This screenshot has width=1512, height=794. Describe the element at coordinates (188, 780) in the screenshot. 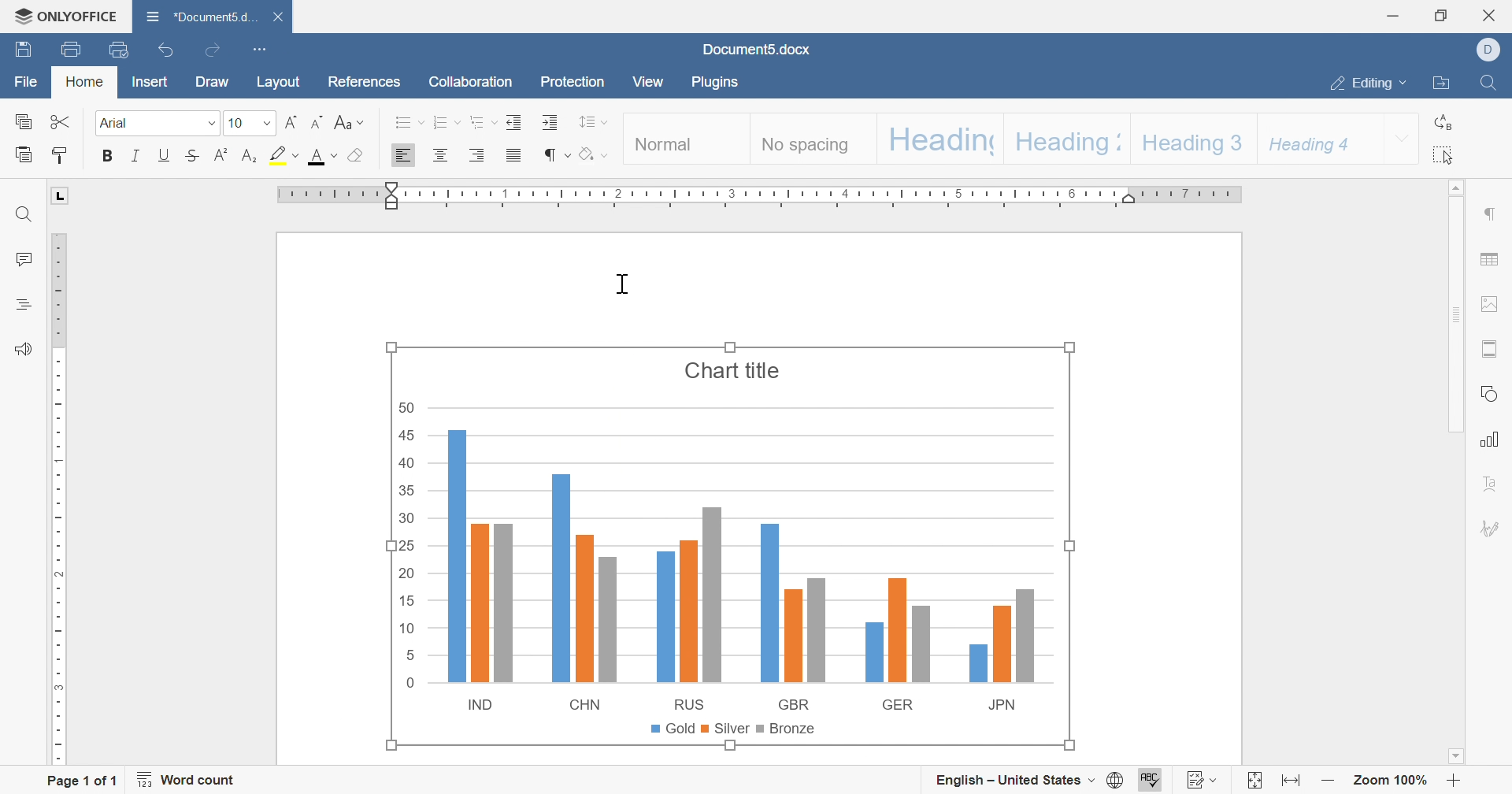

I see `word count` at that location.